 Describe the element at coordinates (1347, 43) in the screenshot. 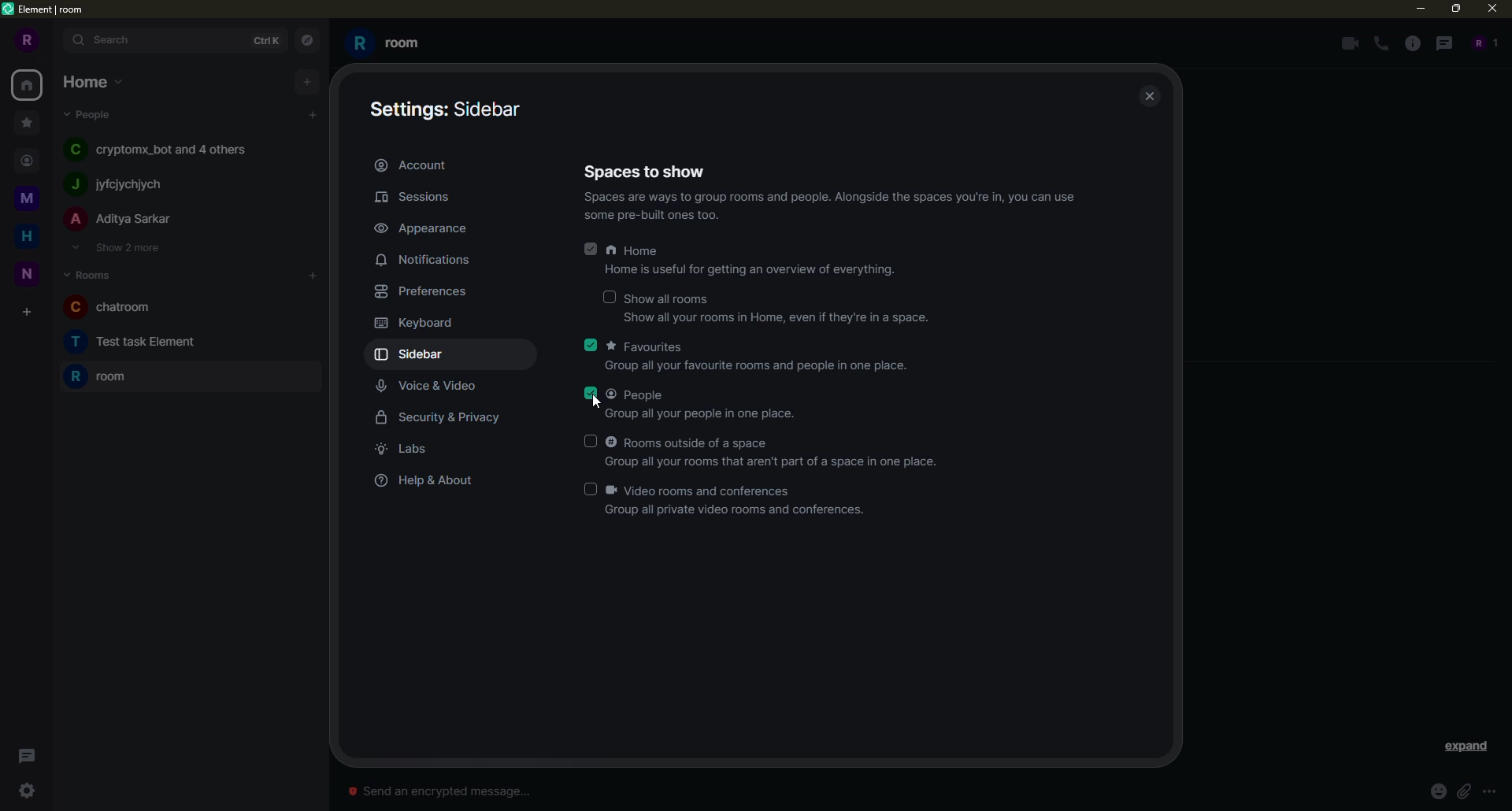

I see `video call` at that location.